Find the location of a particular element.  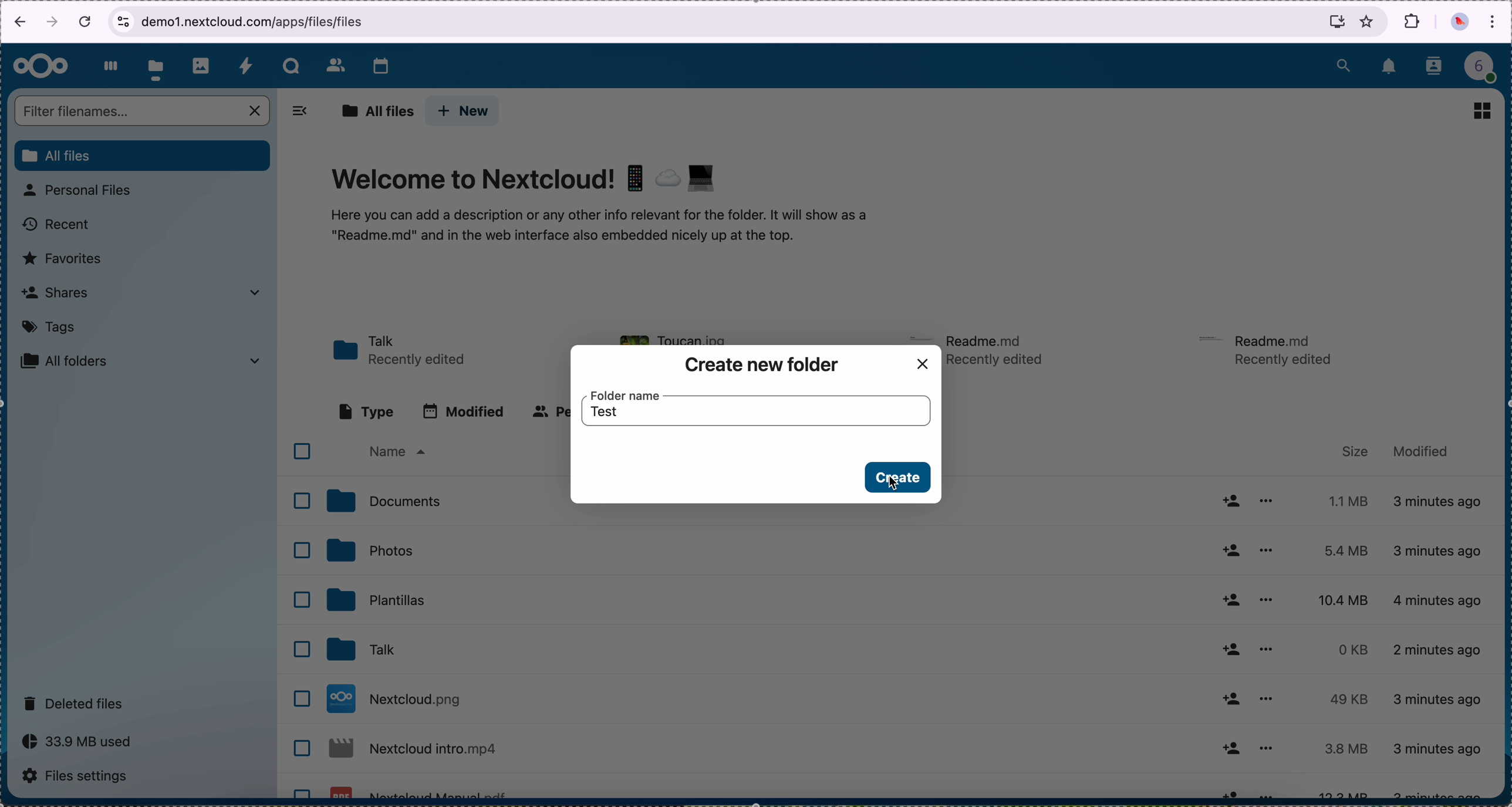

4 minutes ago is located at coordinates (1439, 598).